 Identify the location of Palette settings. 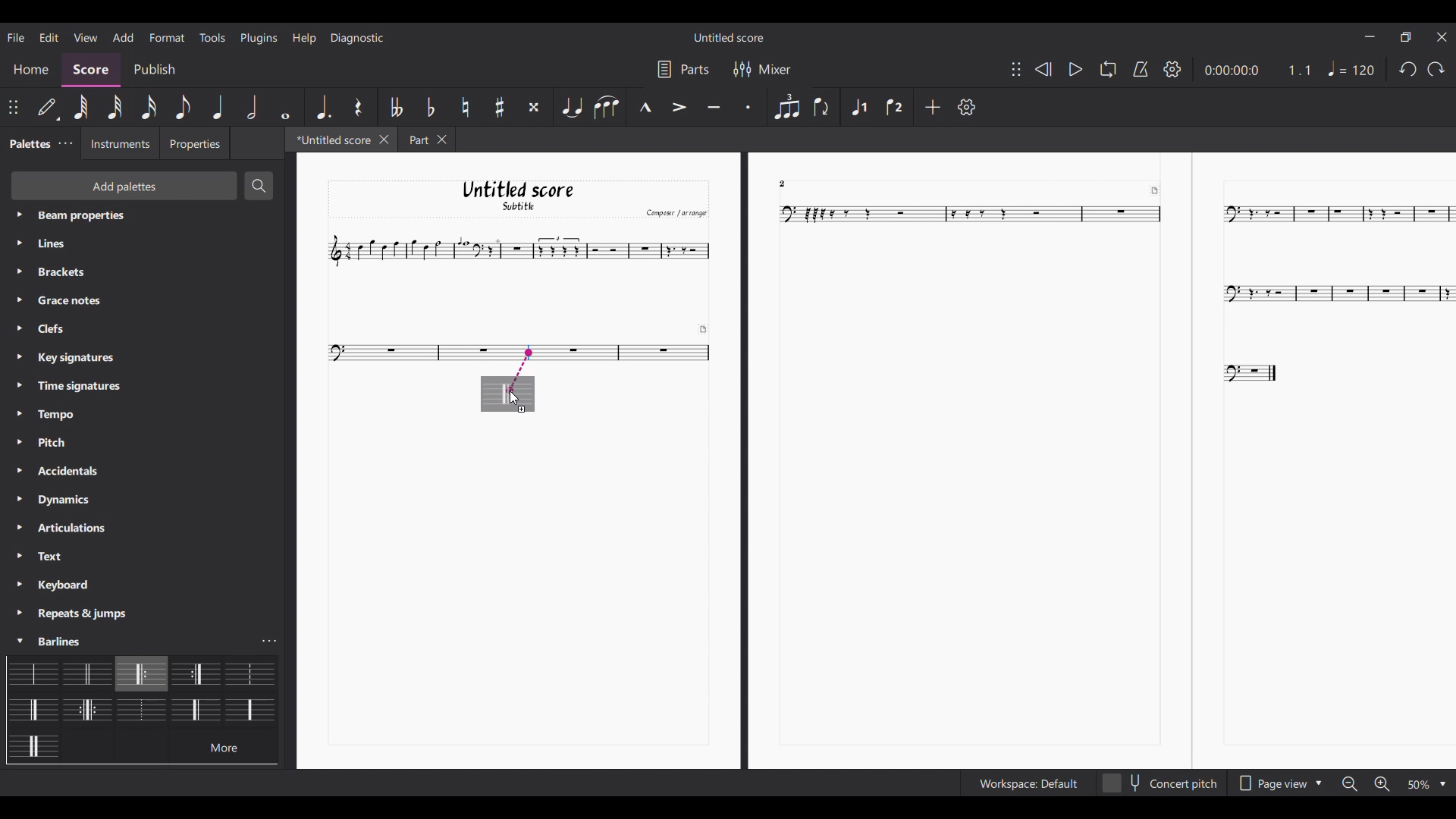
(60, 444).